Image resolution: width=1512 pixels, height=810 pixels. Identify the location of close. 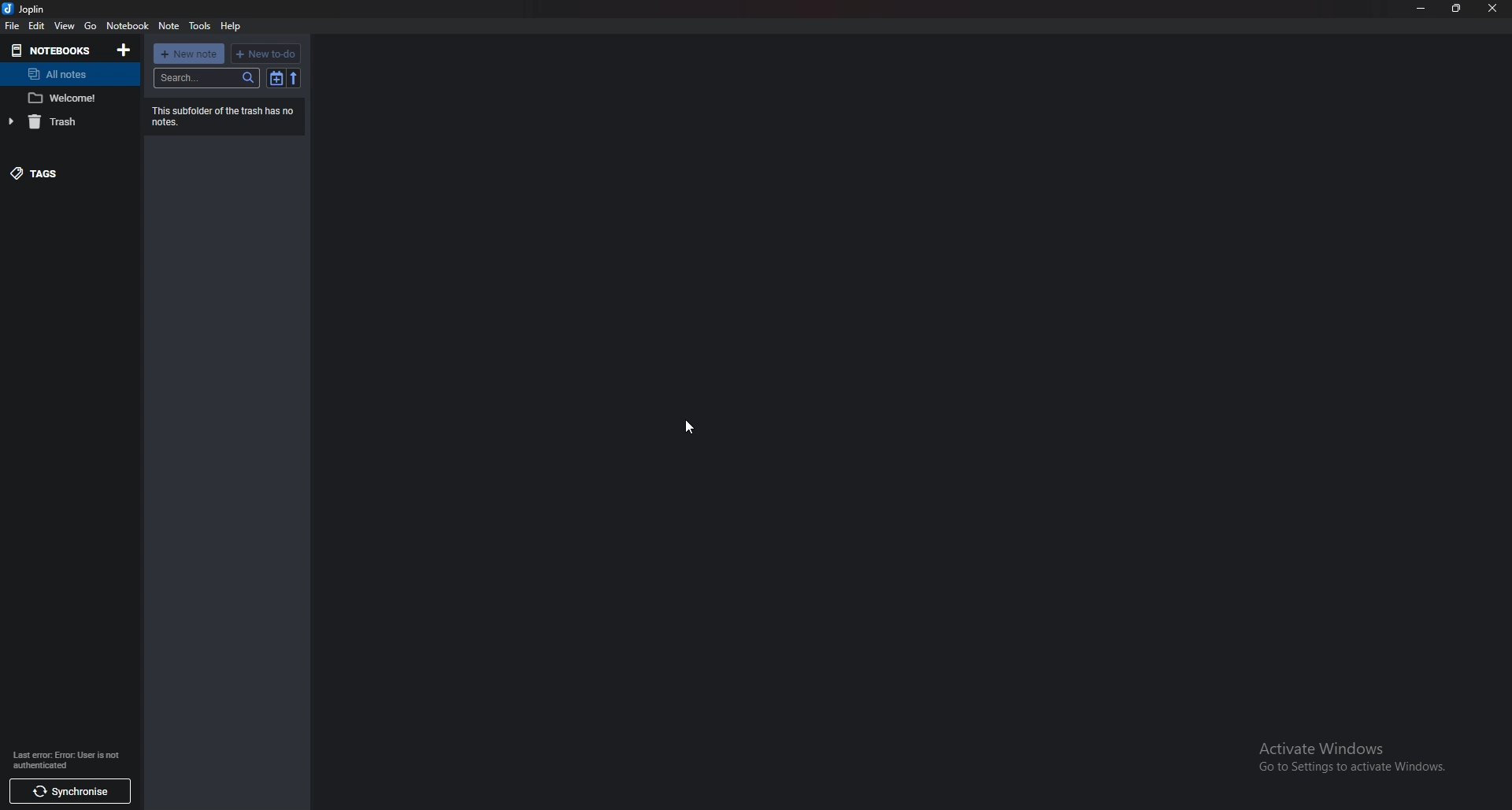
(1492, 9).